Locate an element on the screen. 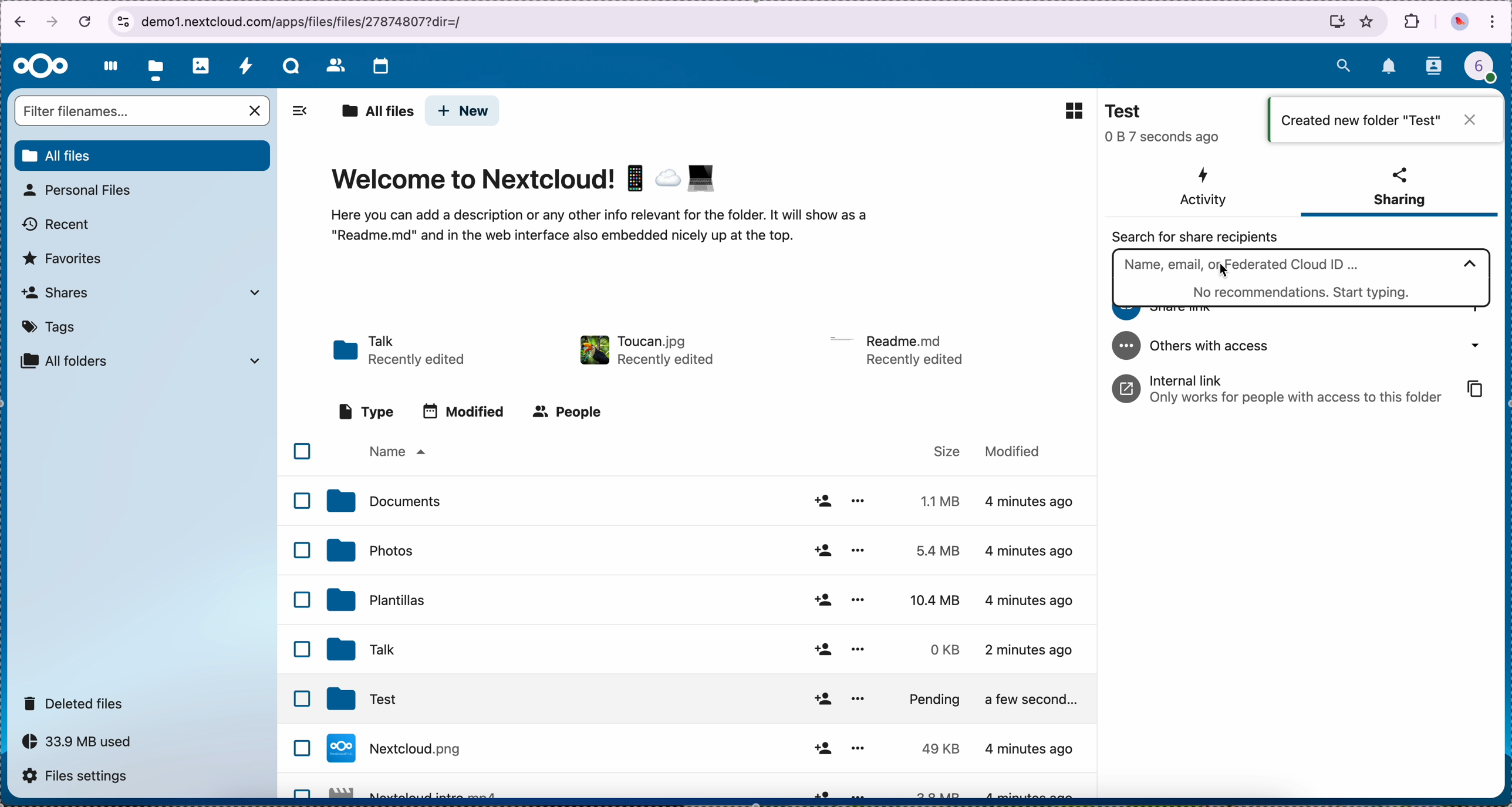 This screenshot has height=807, width=1512. file is located at coordinates (710, 748).